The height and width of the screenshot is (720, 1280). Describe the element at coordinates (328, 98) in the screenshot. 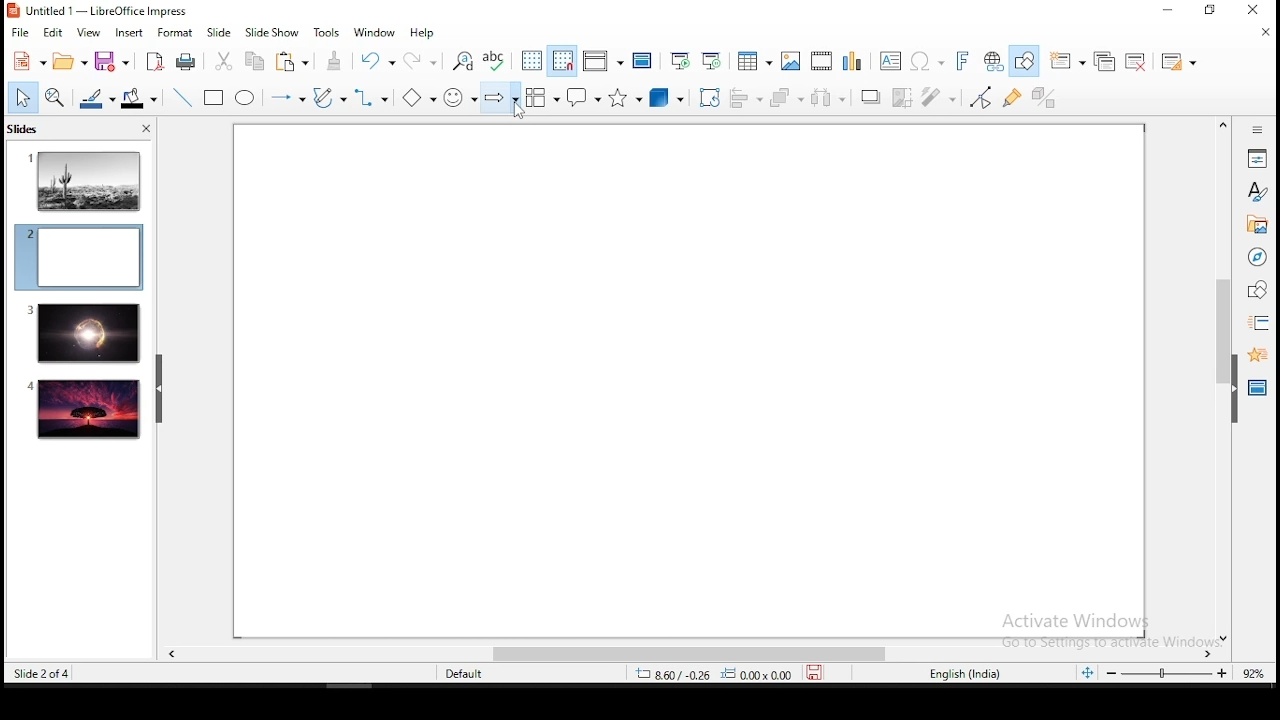

I see `curves and polygons` at that location.